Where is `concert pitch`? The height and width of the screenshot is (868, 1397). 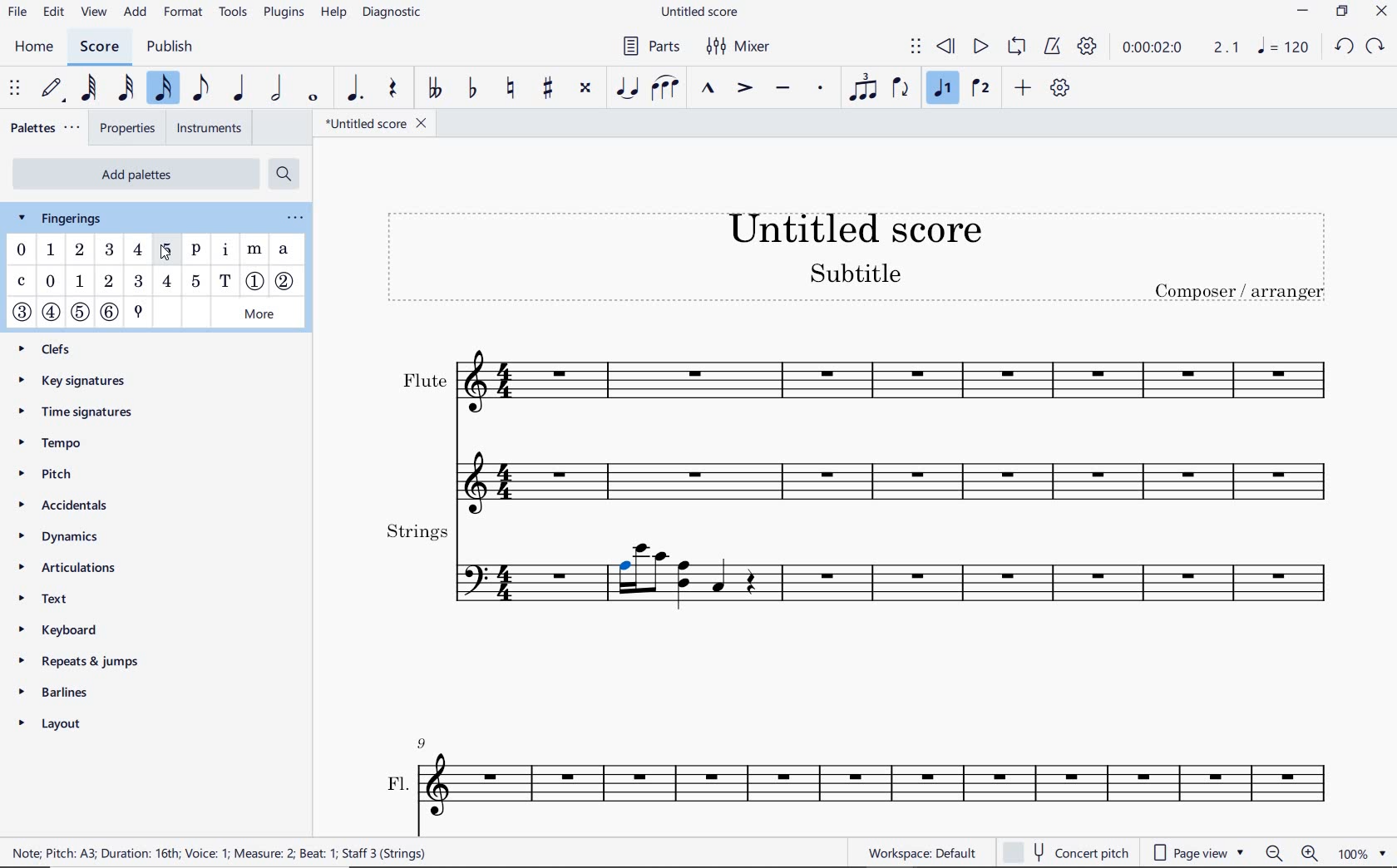
concert pitch is located at coordinates (1065, 853).